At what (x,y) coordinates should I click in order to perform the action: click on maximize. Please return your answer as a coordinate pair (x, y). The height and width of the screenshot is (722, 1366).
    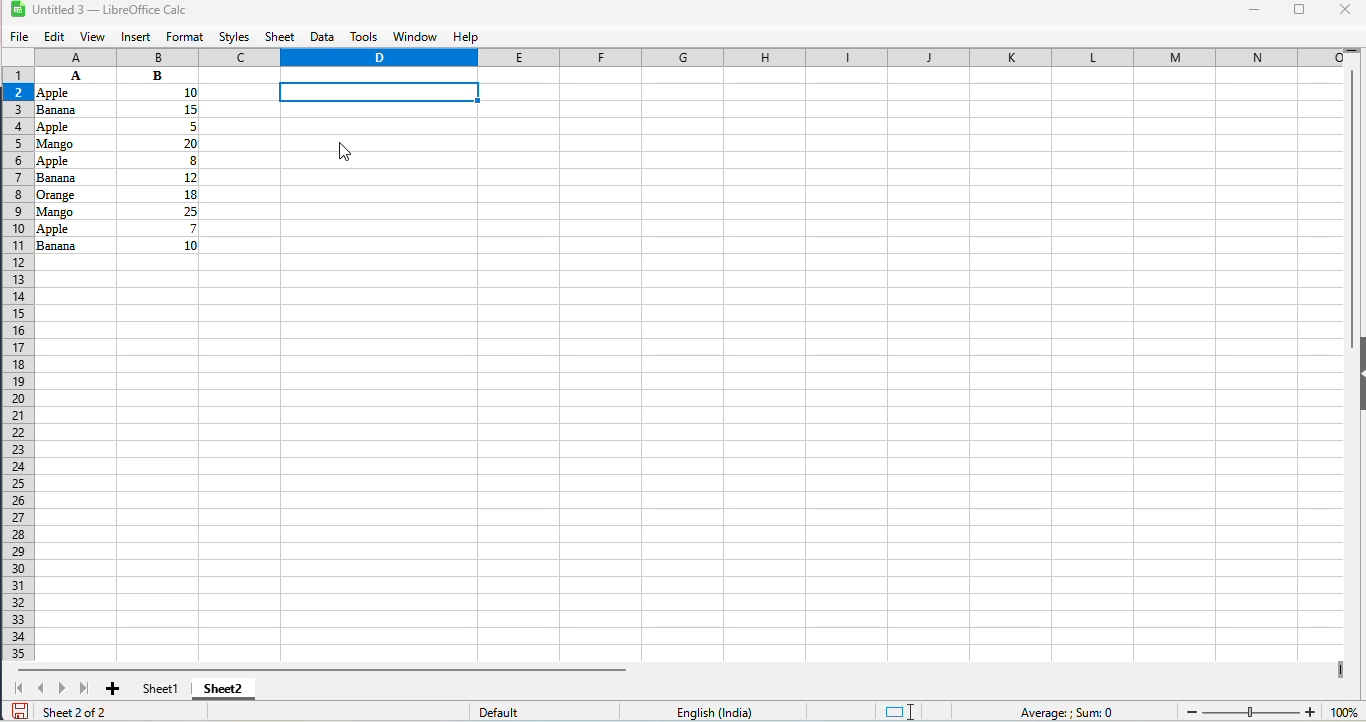
    Looking at the image, I should click on (1301, 8).